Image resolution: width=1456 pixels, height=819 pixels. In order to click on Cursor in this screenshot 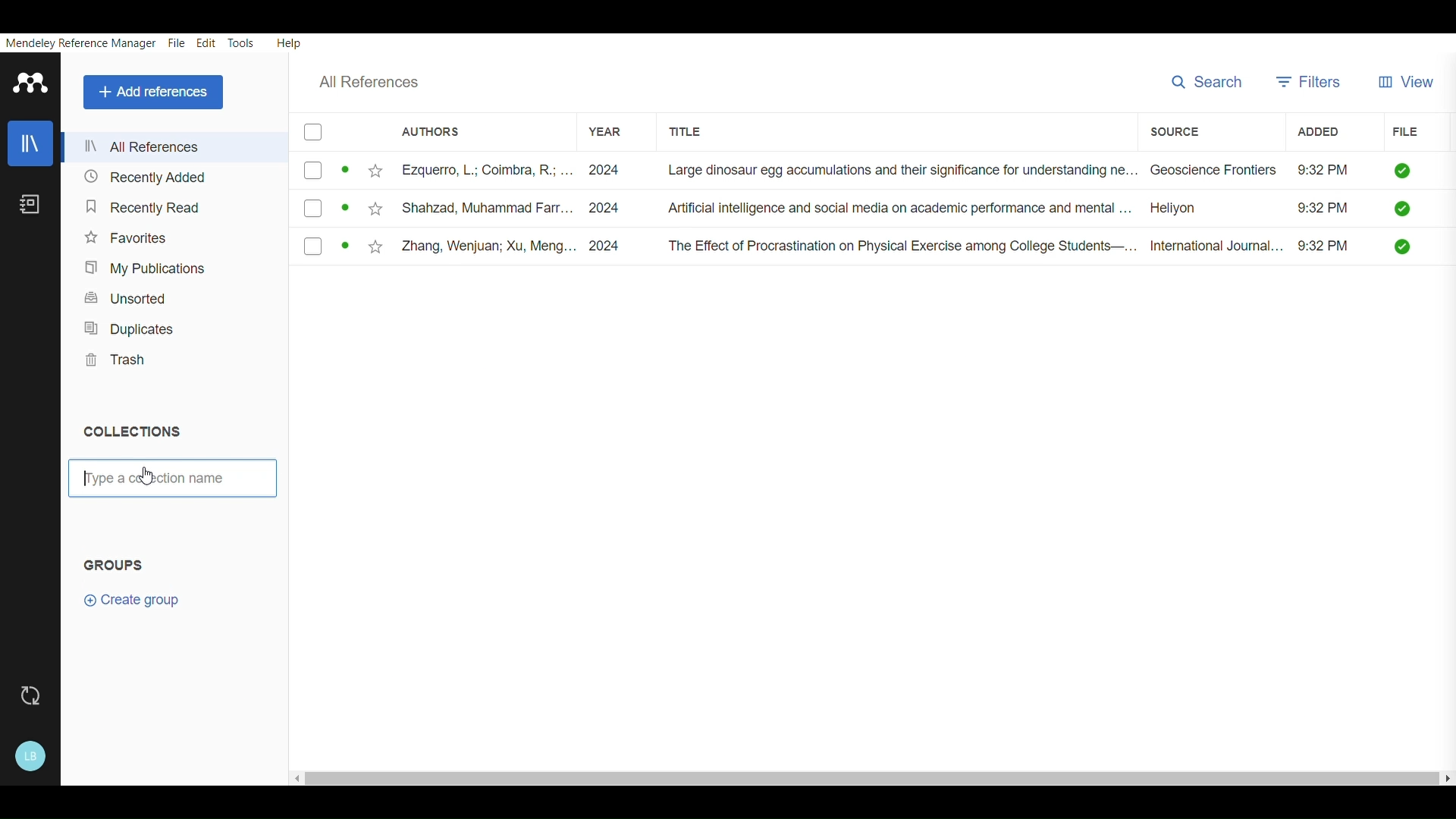, I will do `click(141, 478)`.